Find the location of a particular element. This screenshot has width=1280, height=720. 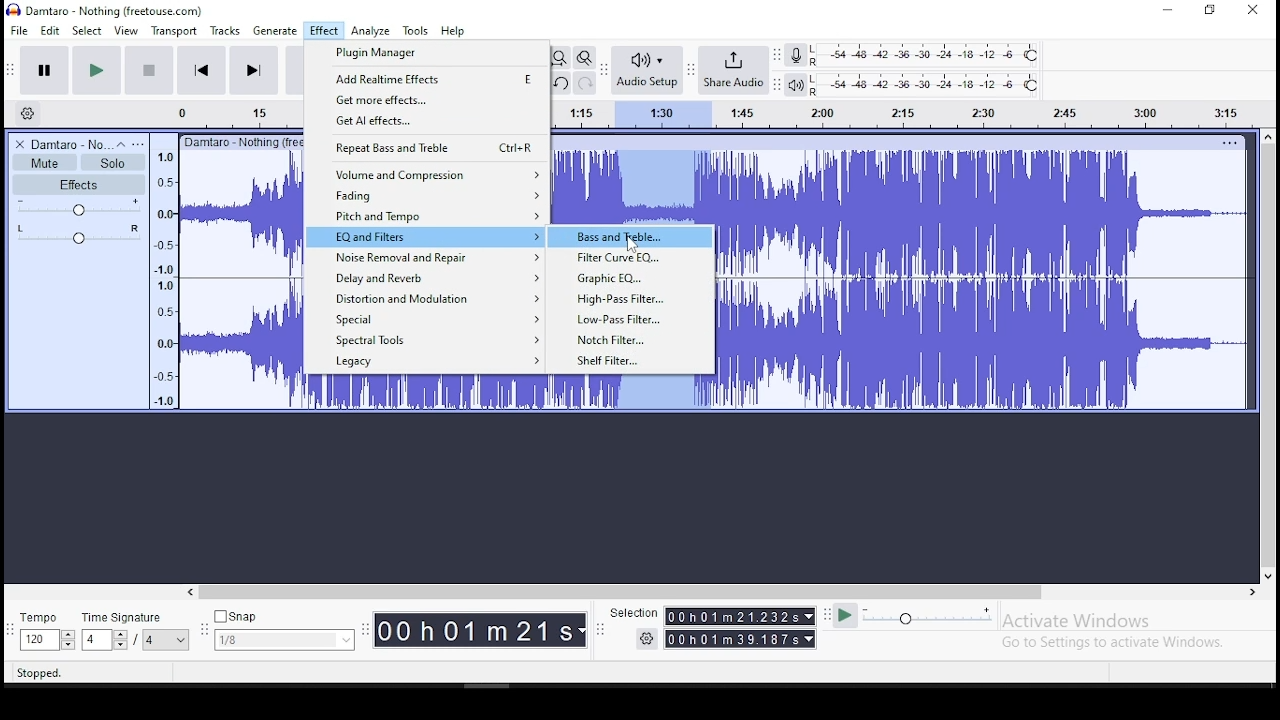

drop down is located at coordinates (344, 640).